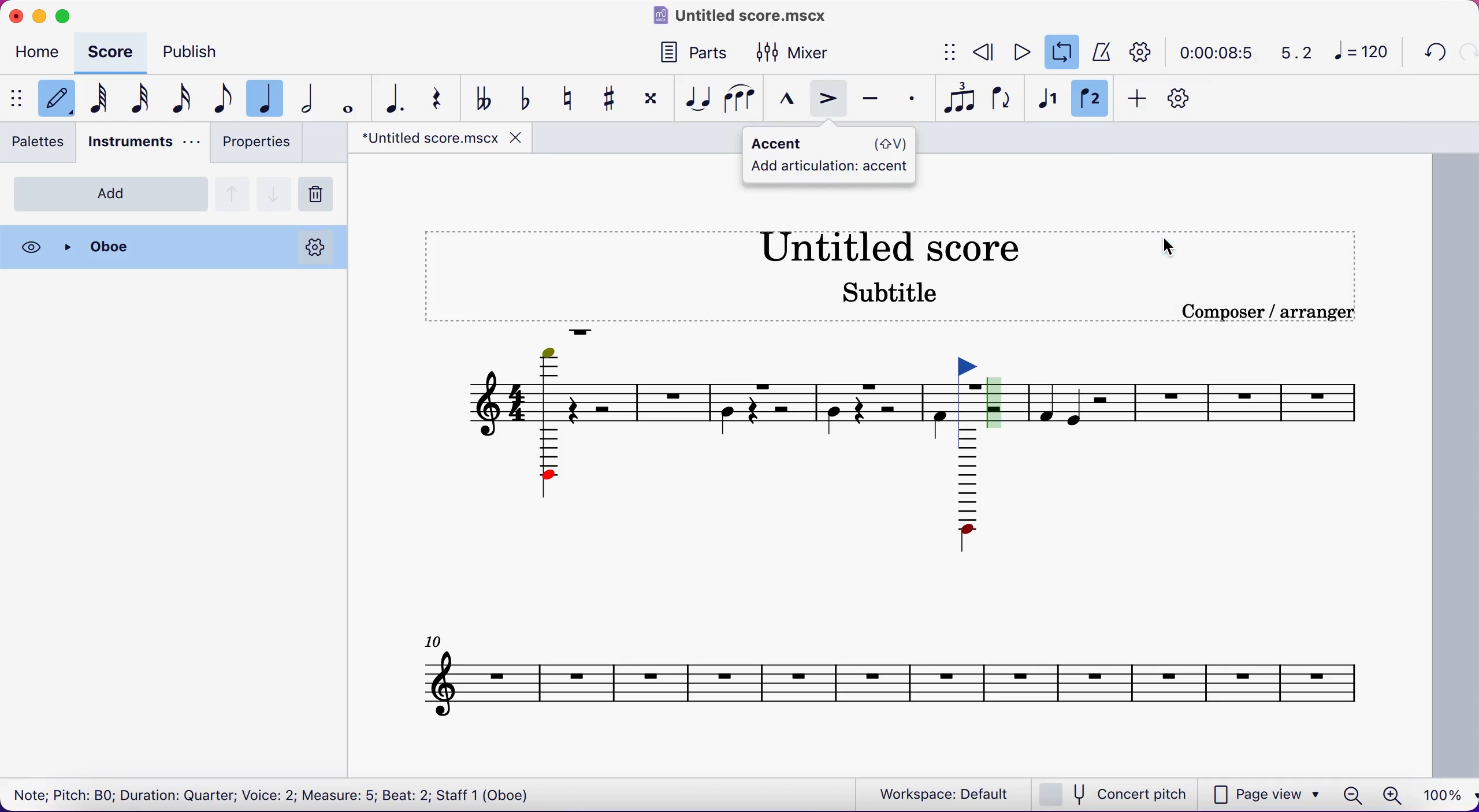 The width and height of the screenshot is (1479, 812). What do you see at coordinates (142, 144) in the screenshot?
I see `instruments` at bounding box center [142, 144].